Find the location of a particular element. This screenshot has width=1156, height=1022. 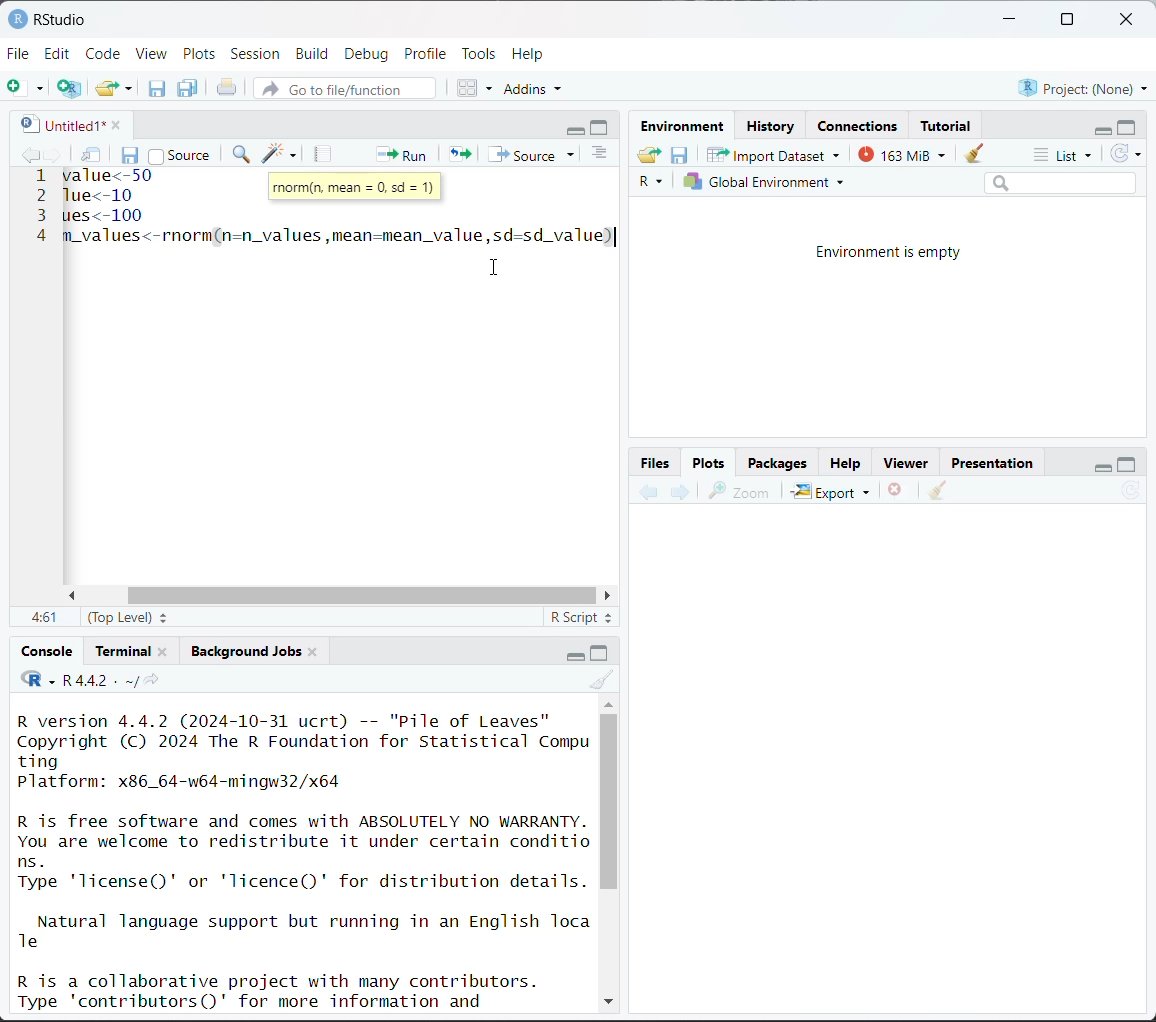

go backward to previous source location is located at coordinates (30, 156).